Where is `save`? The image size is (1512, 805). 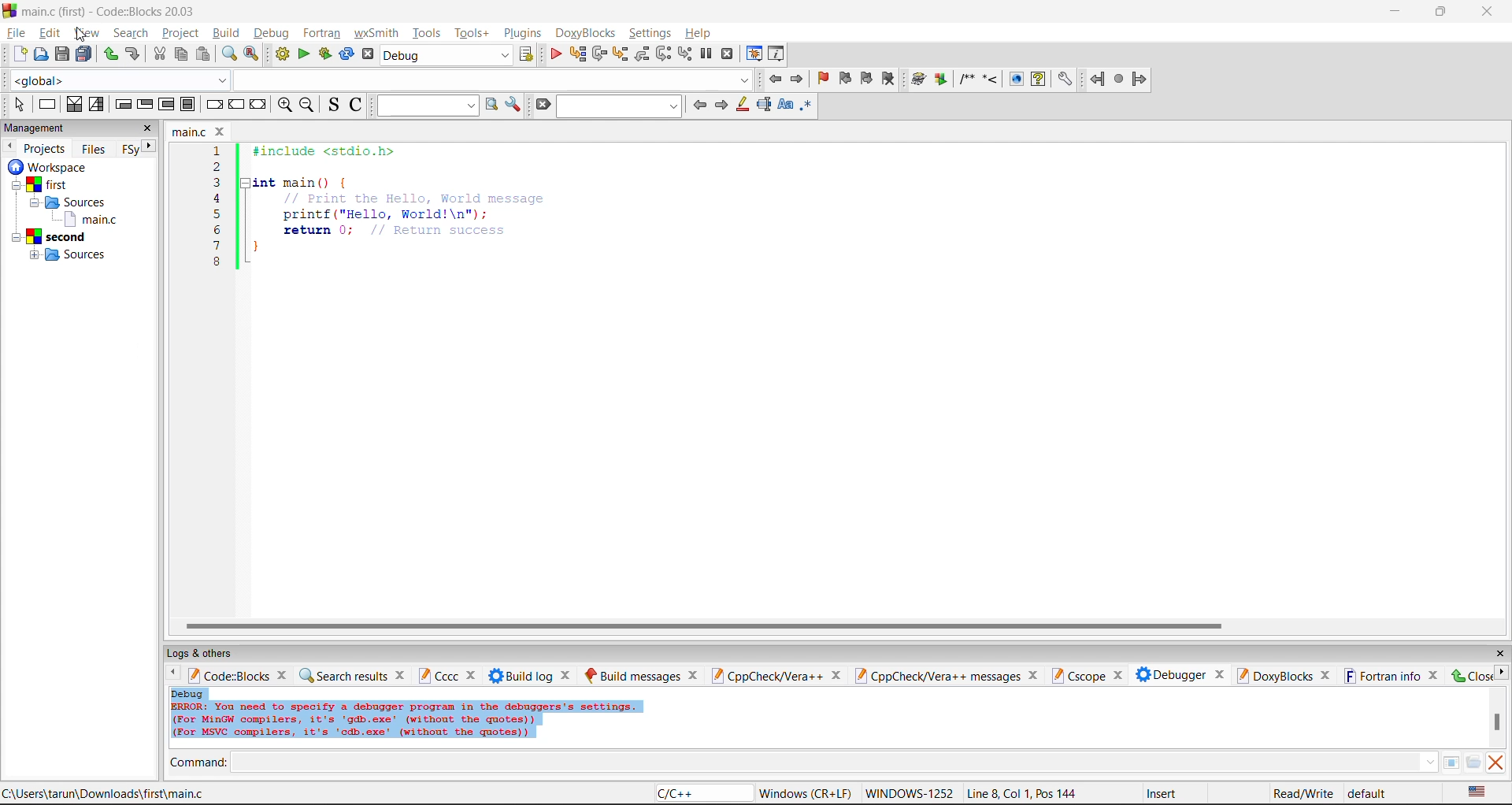 save is located at coordinates (63, 53).